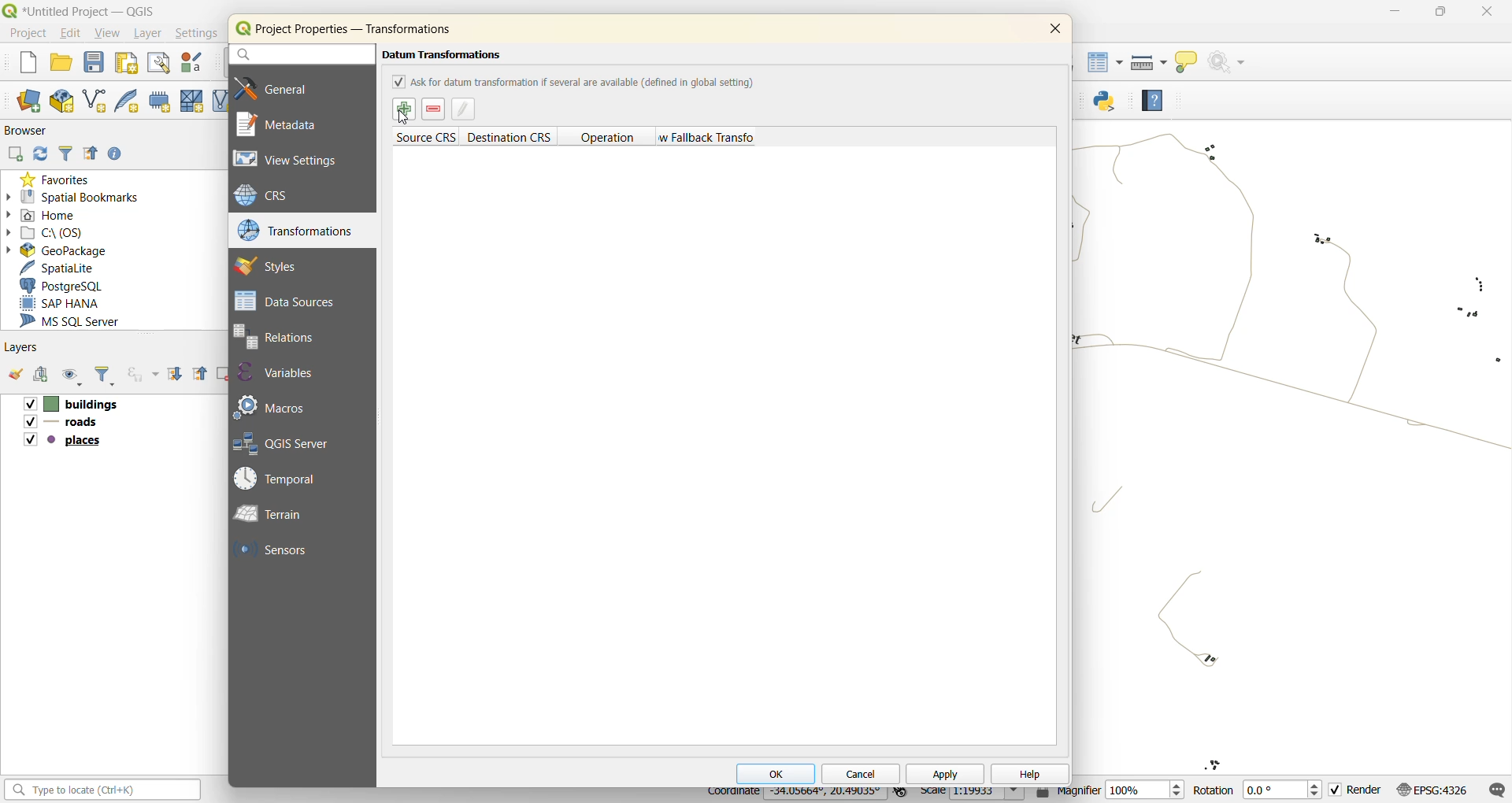  I want to click on measure line, so click(1147, 62).